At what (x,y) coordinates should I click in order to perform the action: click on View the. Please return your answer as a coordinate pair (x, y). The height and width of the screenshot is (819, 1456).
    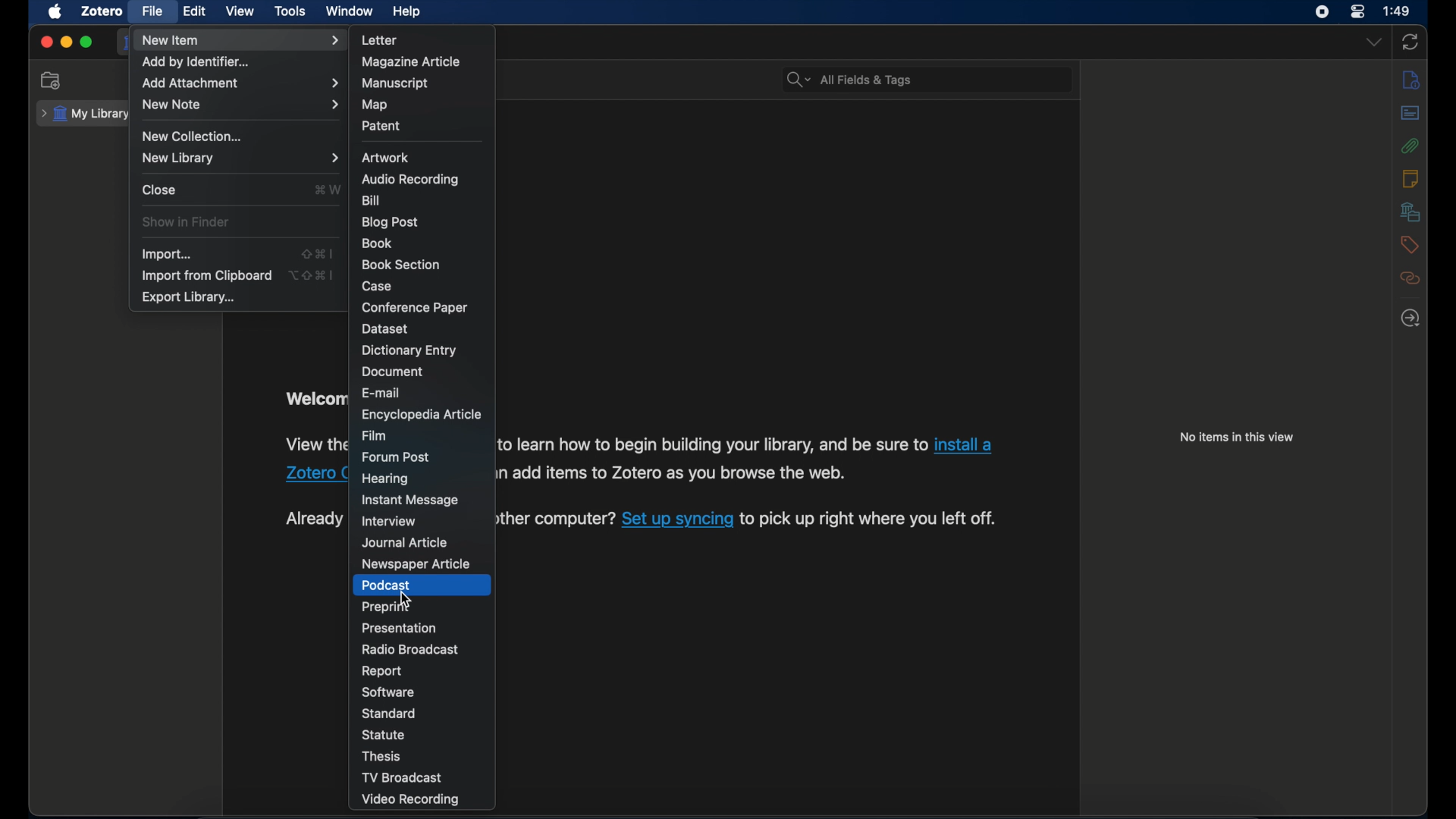
    Looking at the image, I should click on (313, 444).